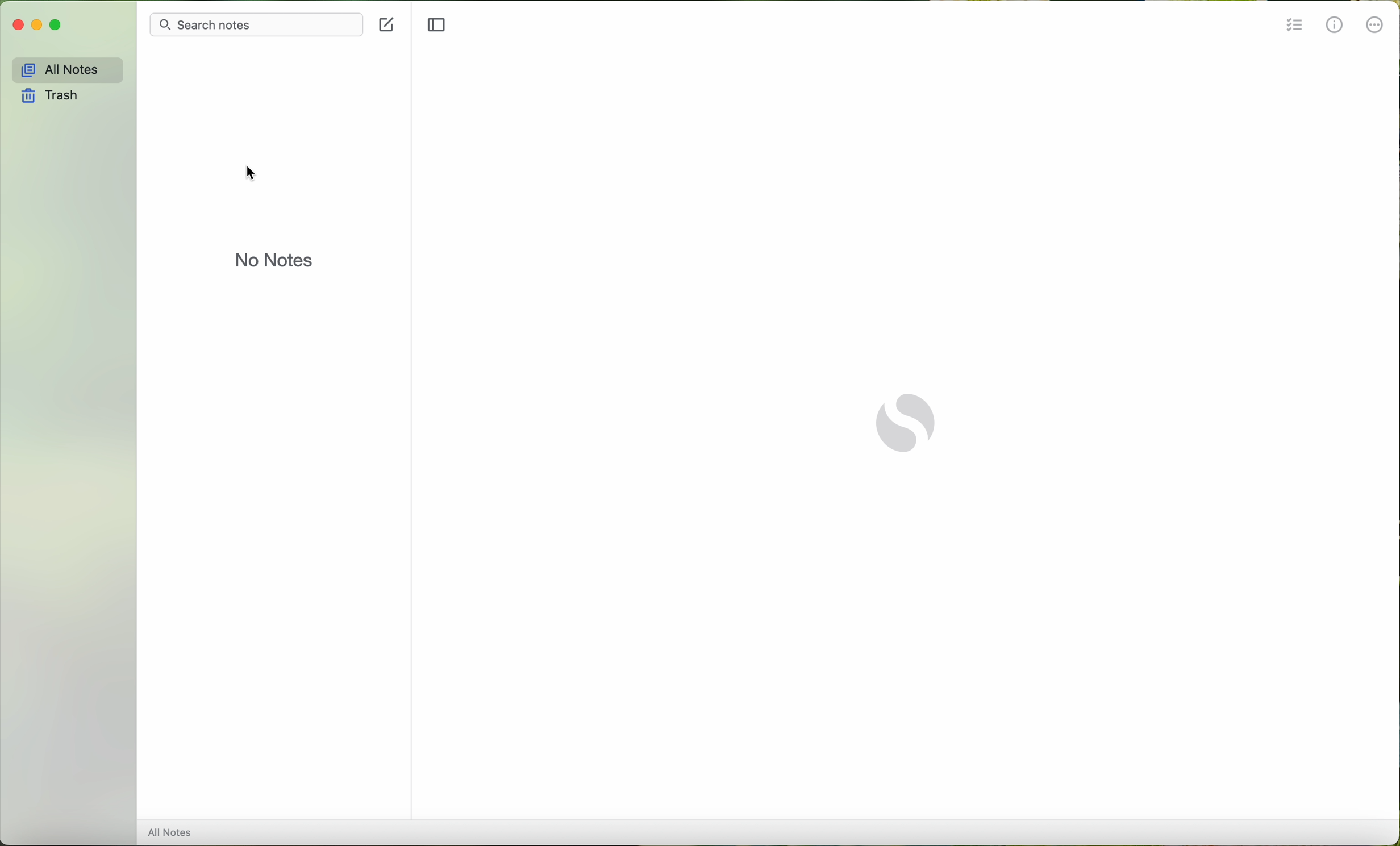 This screenshot has height=846, width=1400. I want to click on maximize Simplenote, so click(60, 25).